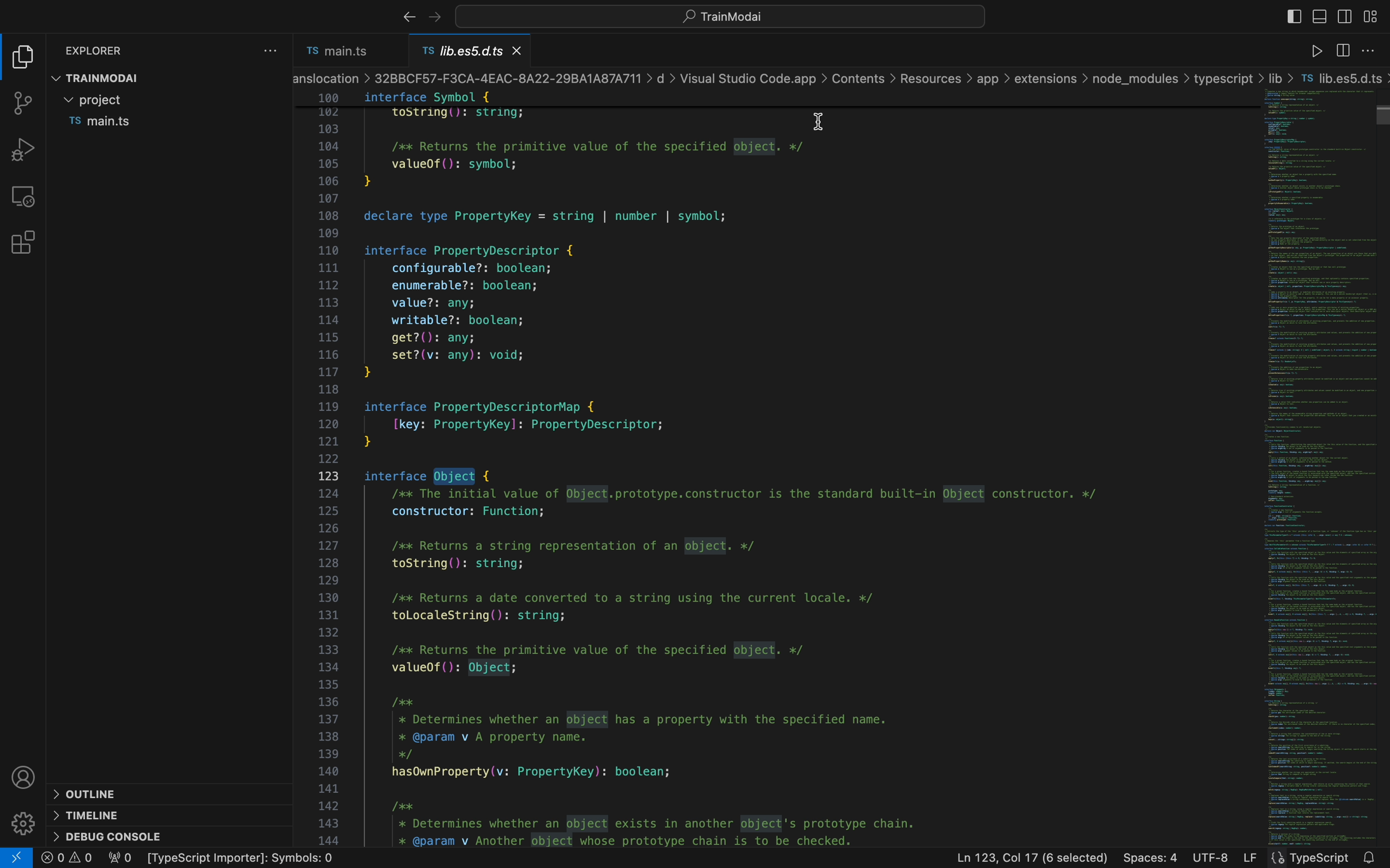 The image size is (1390, 868). What do you see at coordinates (477, 53) in the screenshot?
I see `definition file name` at bounding box center [477, 53].